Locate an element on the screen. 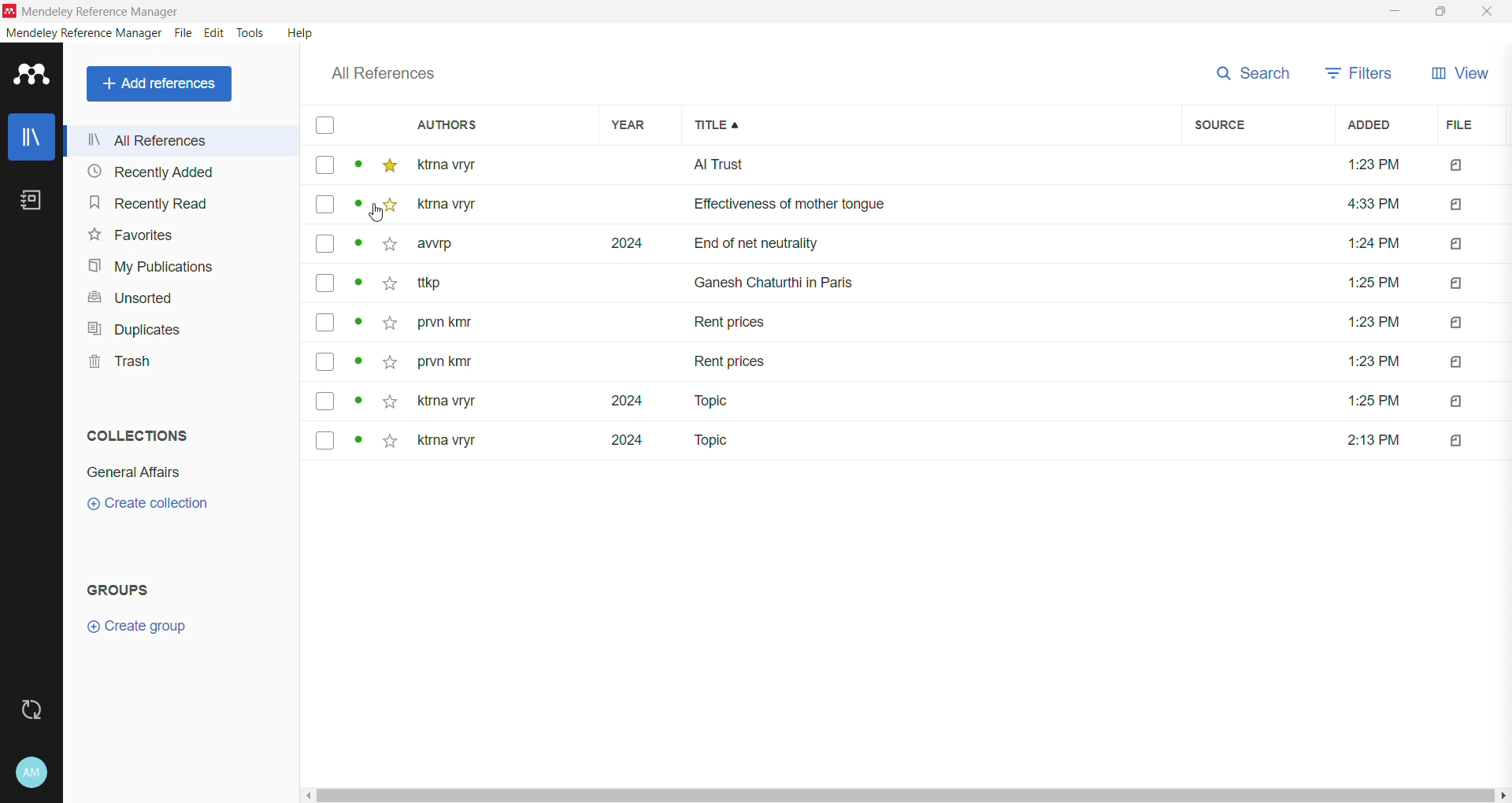 The height and width of the screenshot is (803, 1512). box is located at coordinates (323, 126).